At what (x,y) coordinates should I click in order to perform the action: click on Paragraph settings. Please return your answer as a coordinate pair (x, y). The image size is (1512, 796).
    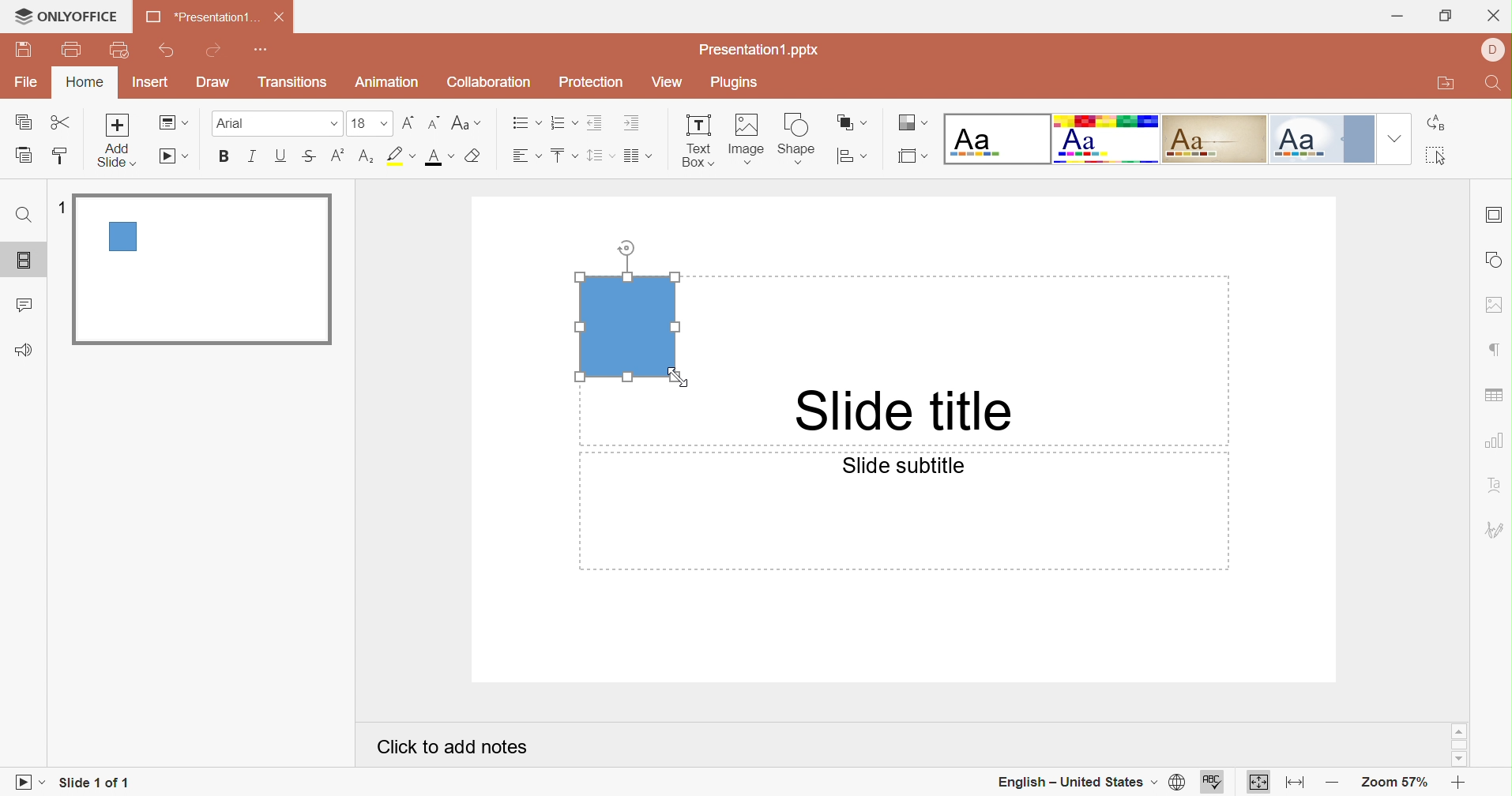
    Looking at the image, I should click on (1499, 351).